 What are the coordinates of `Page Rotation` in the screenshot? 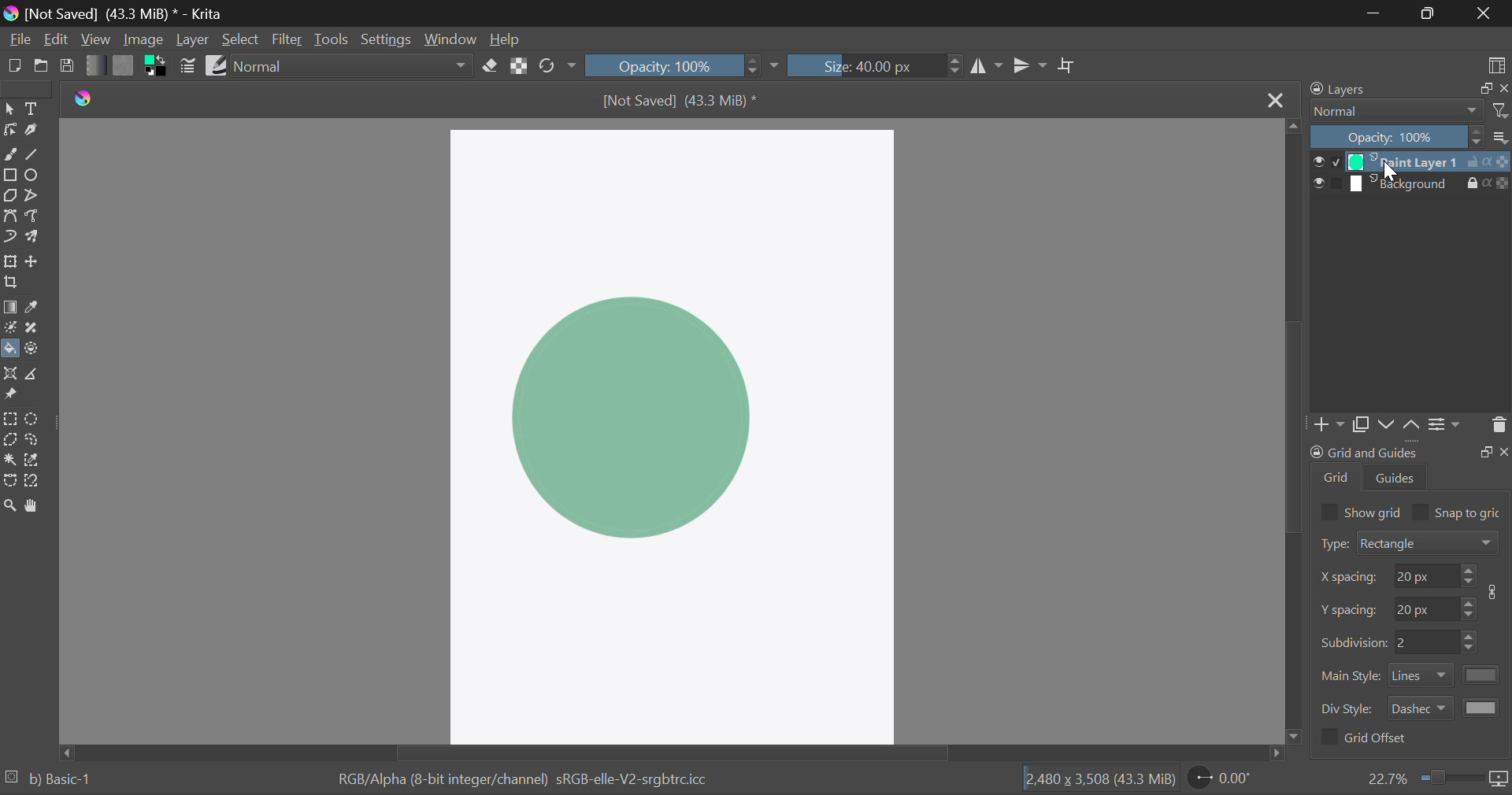 It's located at (1224, 780).